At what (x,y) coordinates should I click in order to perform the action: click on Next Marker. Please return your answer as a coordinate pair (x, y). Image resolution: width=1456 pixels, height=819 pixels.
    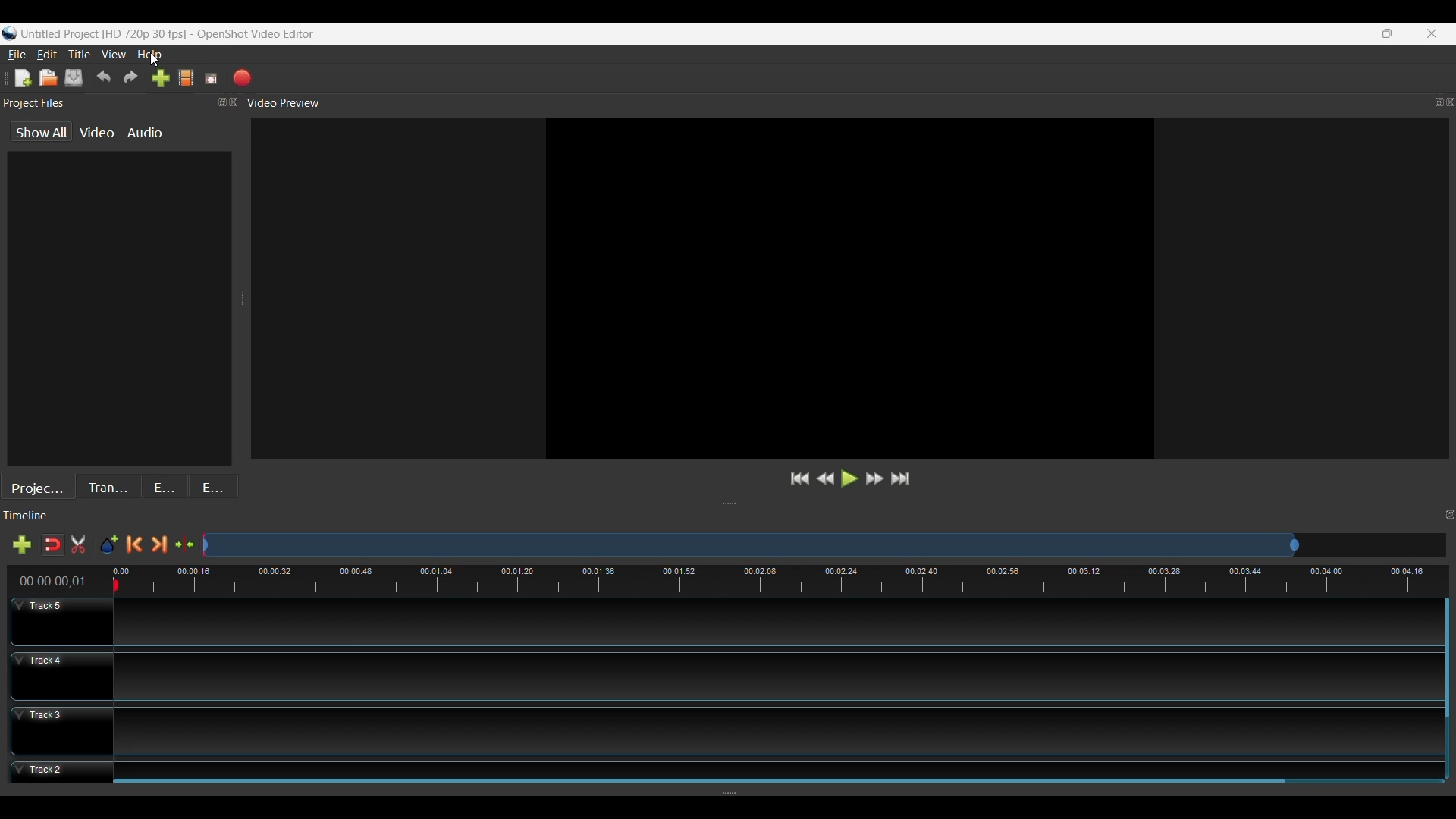
    Looking at the image, I should click on (158, 544).